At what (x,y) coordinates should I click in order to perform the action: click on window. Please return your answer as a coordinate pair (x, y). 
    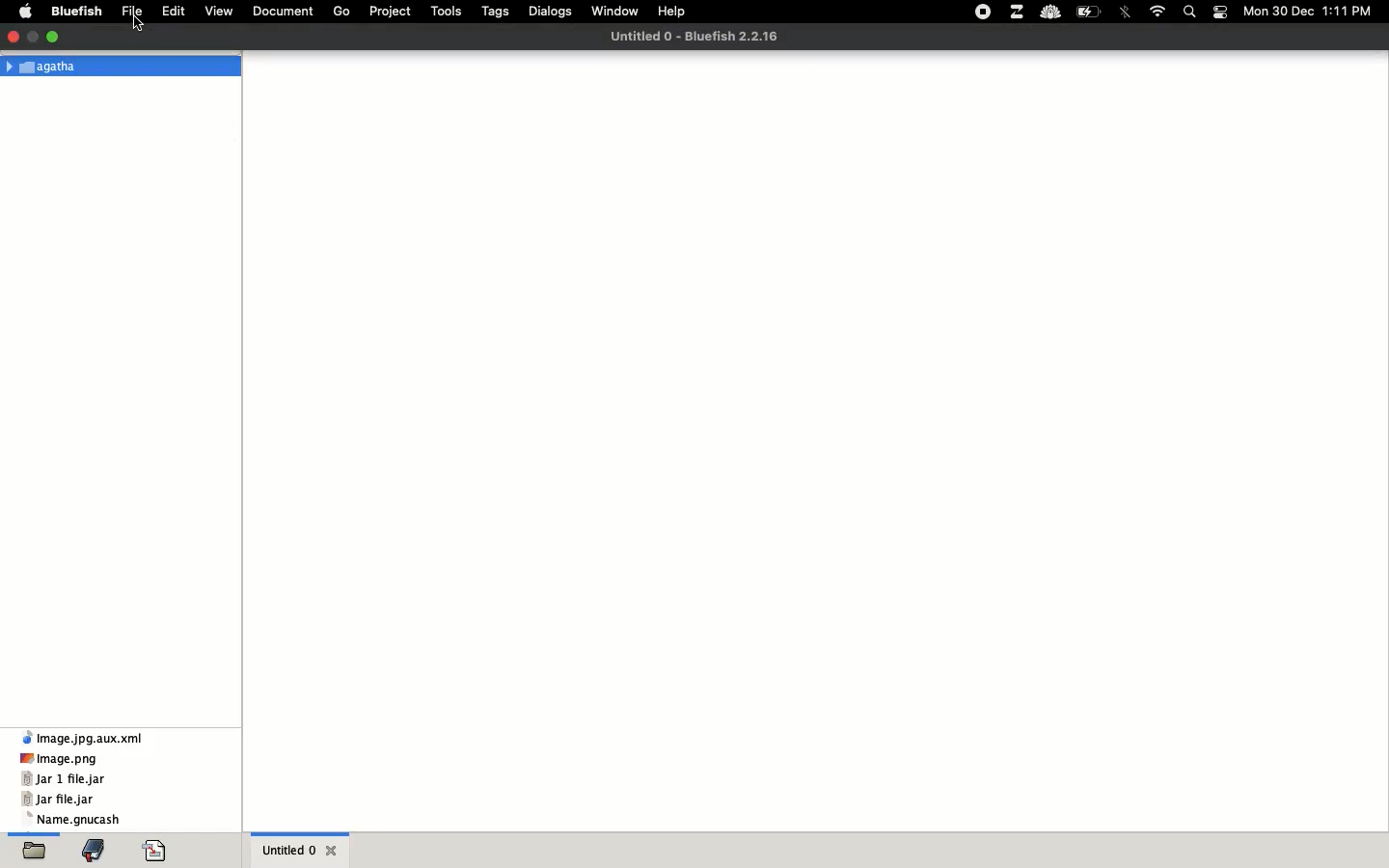
    Looking at the image, I should click on (618, 9).